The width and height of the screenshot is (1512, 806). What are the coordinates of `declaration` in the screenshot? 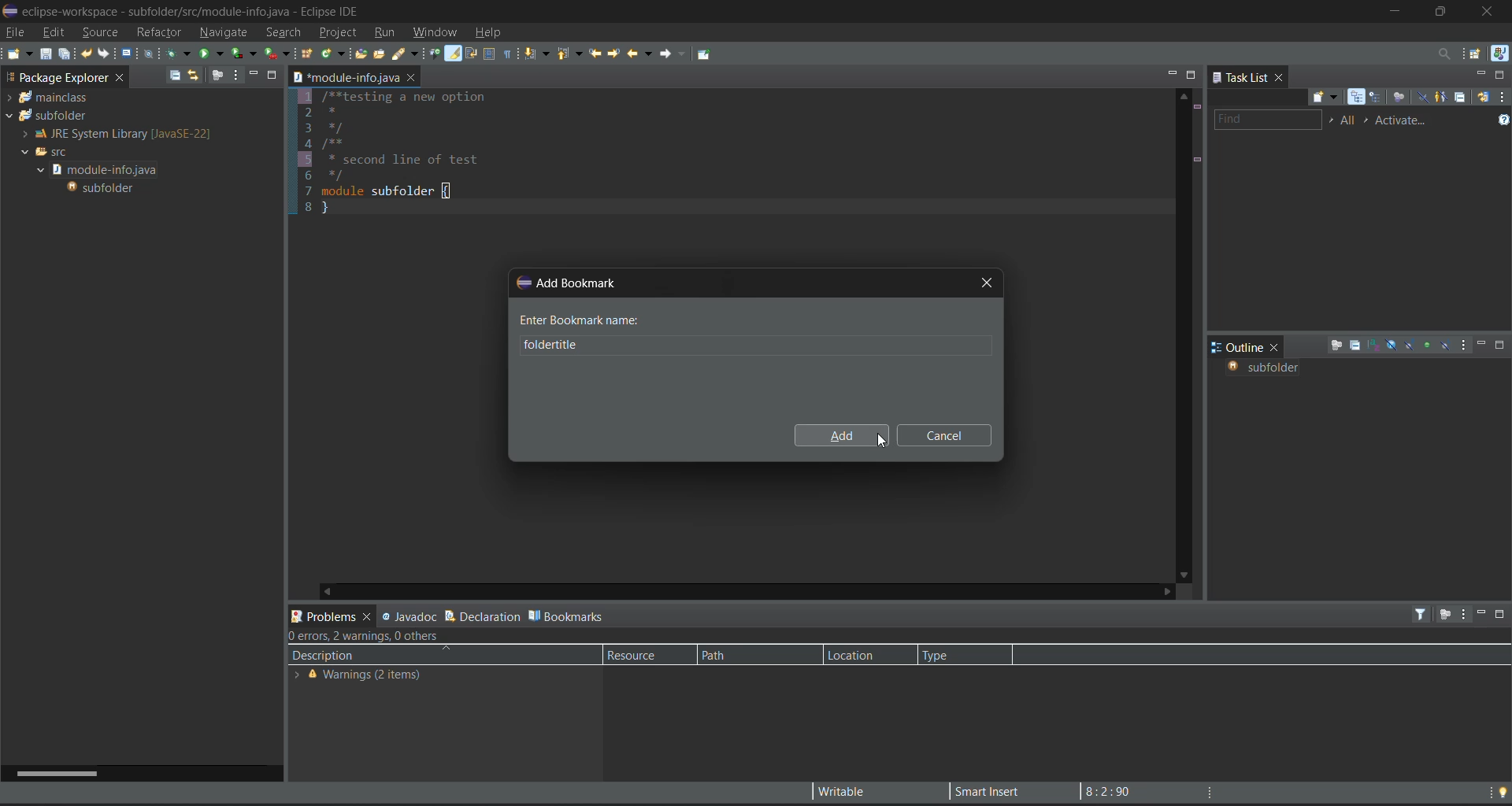 It's located at (482, 614).